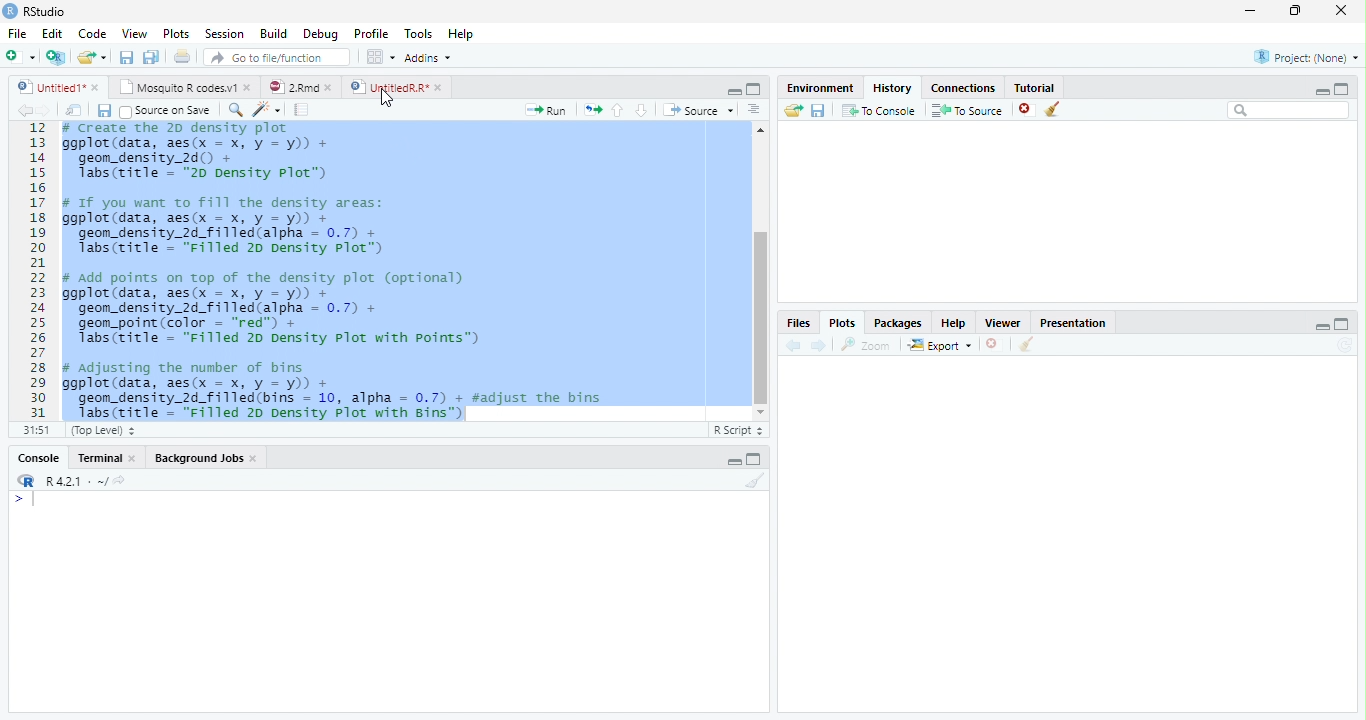 Image resolution: width=1366 pixels, height=720 pixels. I want to click on 31:51, so click(34, 430).